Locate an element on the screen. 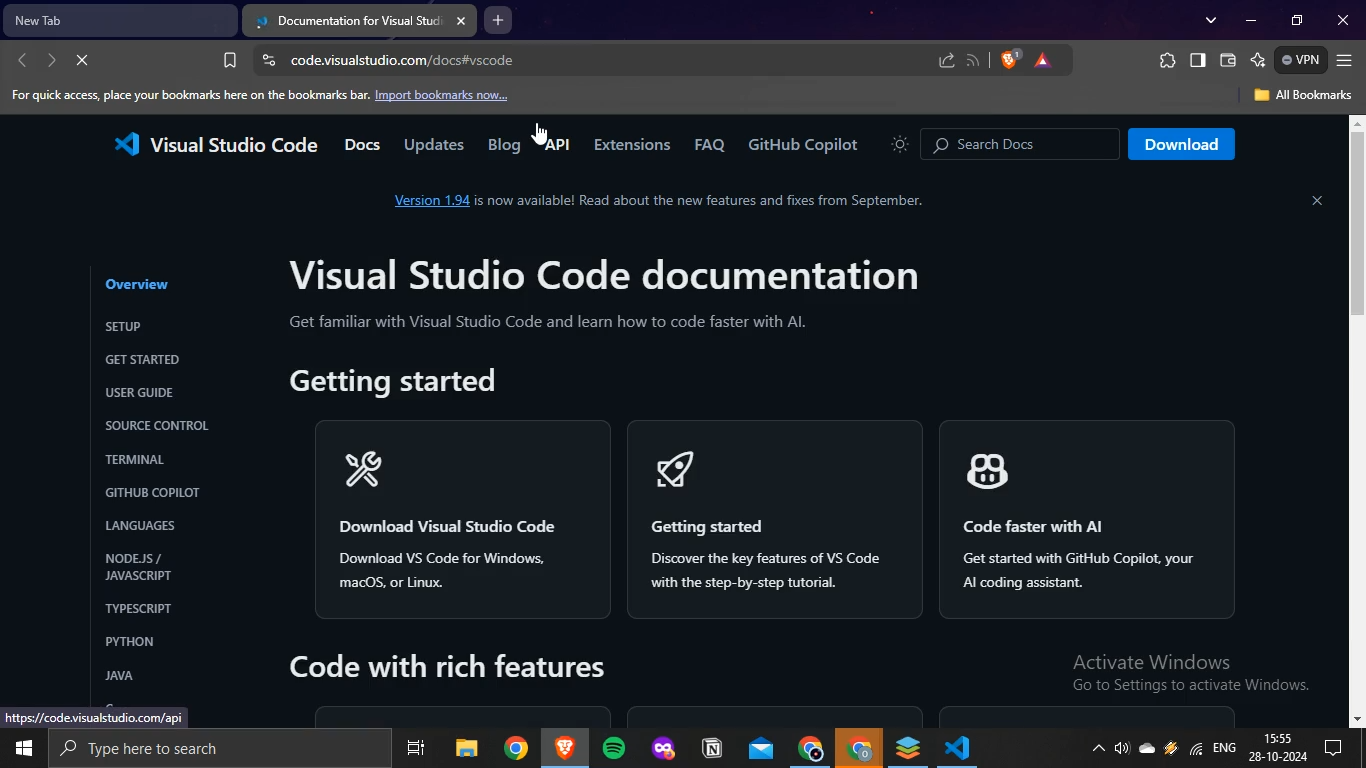  Visual Studio Code documentation is located at coordinates (605, 274).